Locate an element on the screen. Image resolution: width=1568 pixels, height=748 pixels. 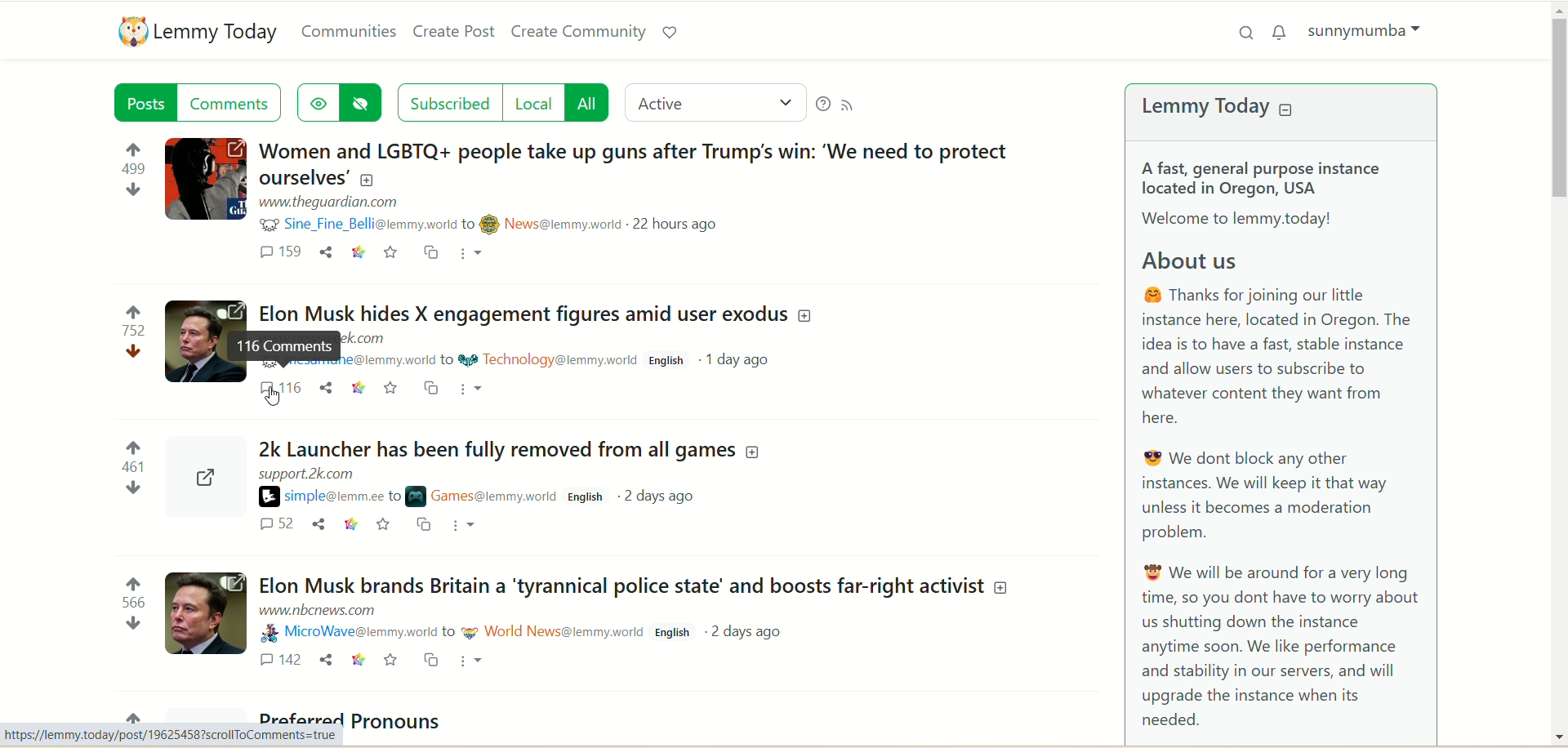
create post is located at coordinates (452, 30).